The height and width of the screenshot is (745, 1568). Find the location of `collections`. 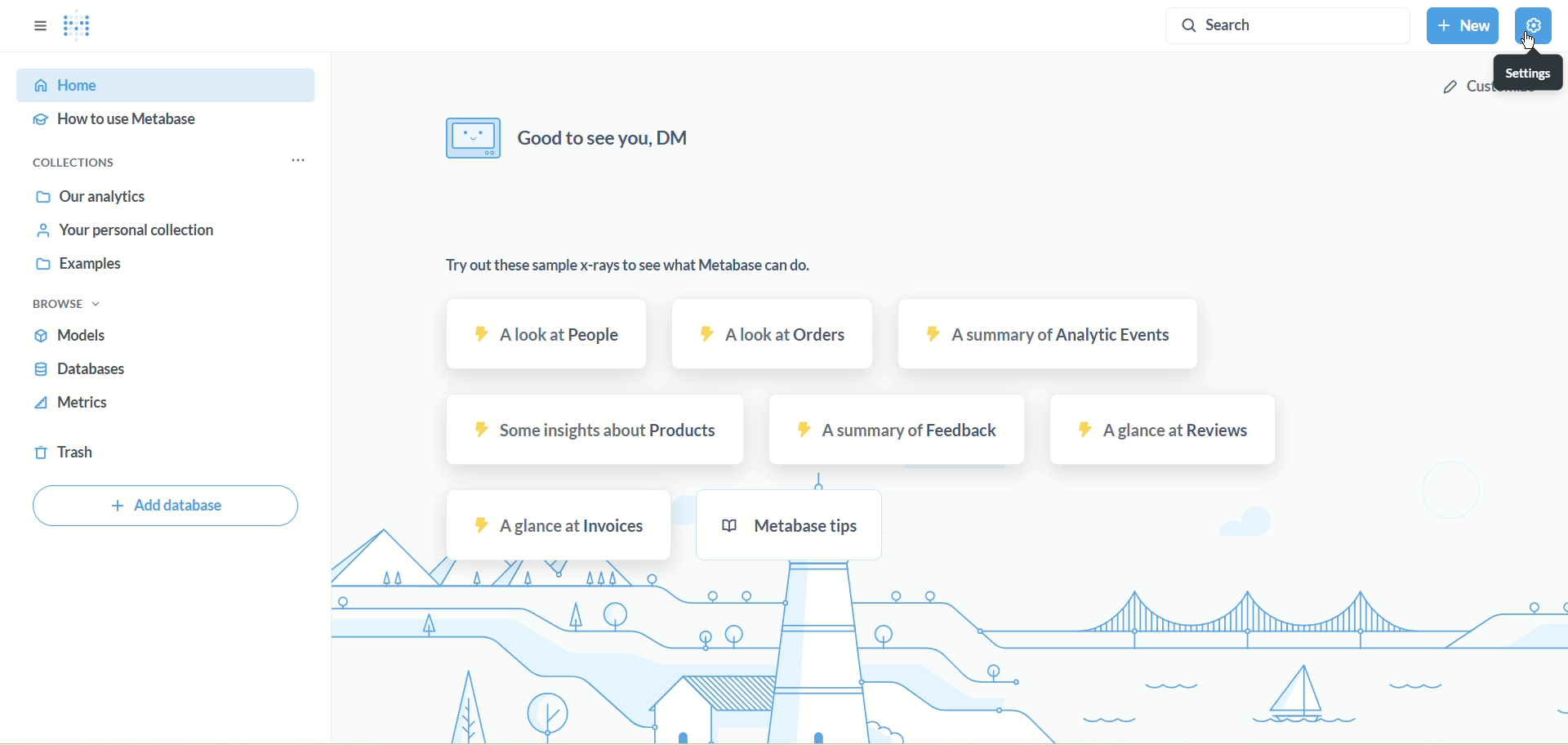

collections is located at coordinates (75, 162).